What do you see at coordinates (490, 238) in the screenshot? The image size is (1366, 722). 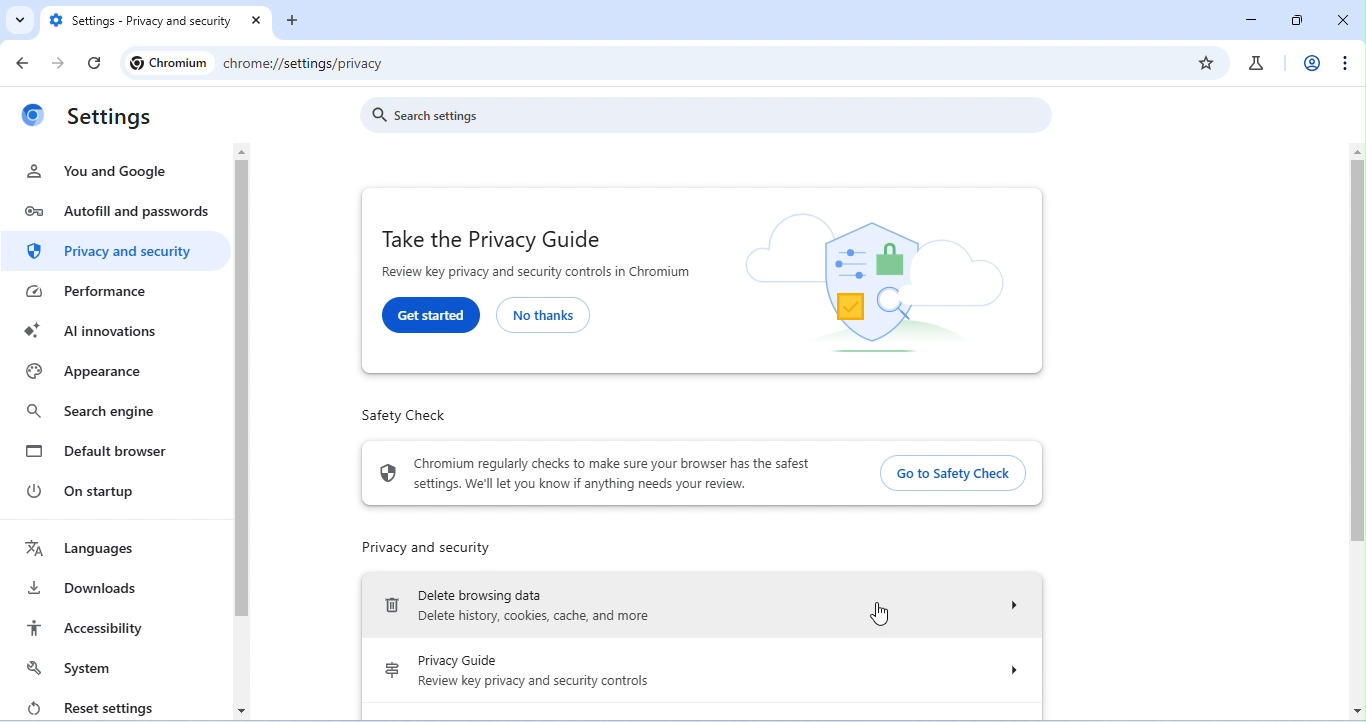 I see `take the privacy guide` at bounding box center [490, 238].